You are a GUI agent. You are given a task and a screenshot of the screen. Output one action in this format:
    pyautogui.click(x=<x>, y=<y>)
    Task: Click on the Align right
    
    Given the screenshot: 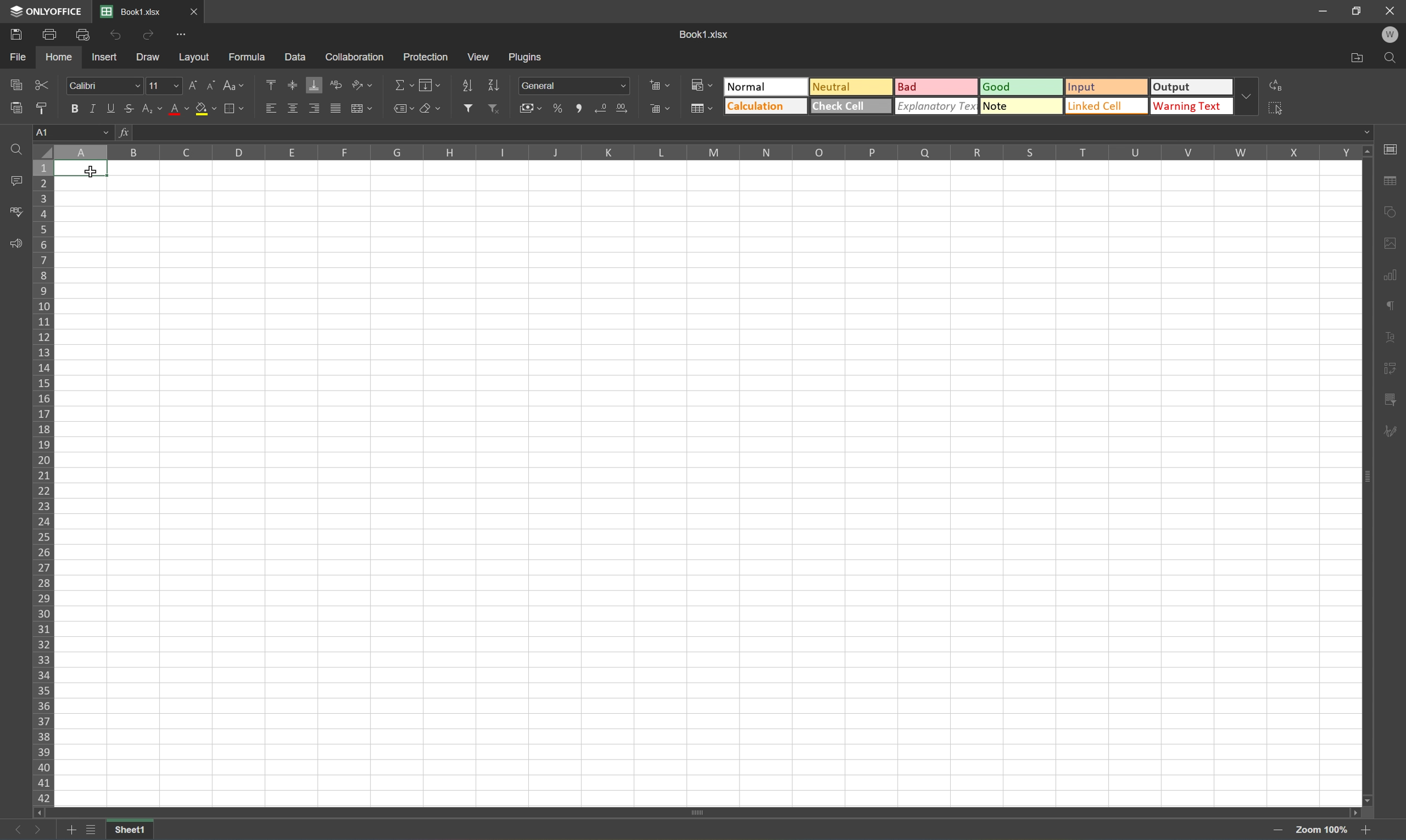 What is the action you would take?
    pyautogui.click(x=314, y=110)
    